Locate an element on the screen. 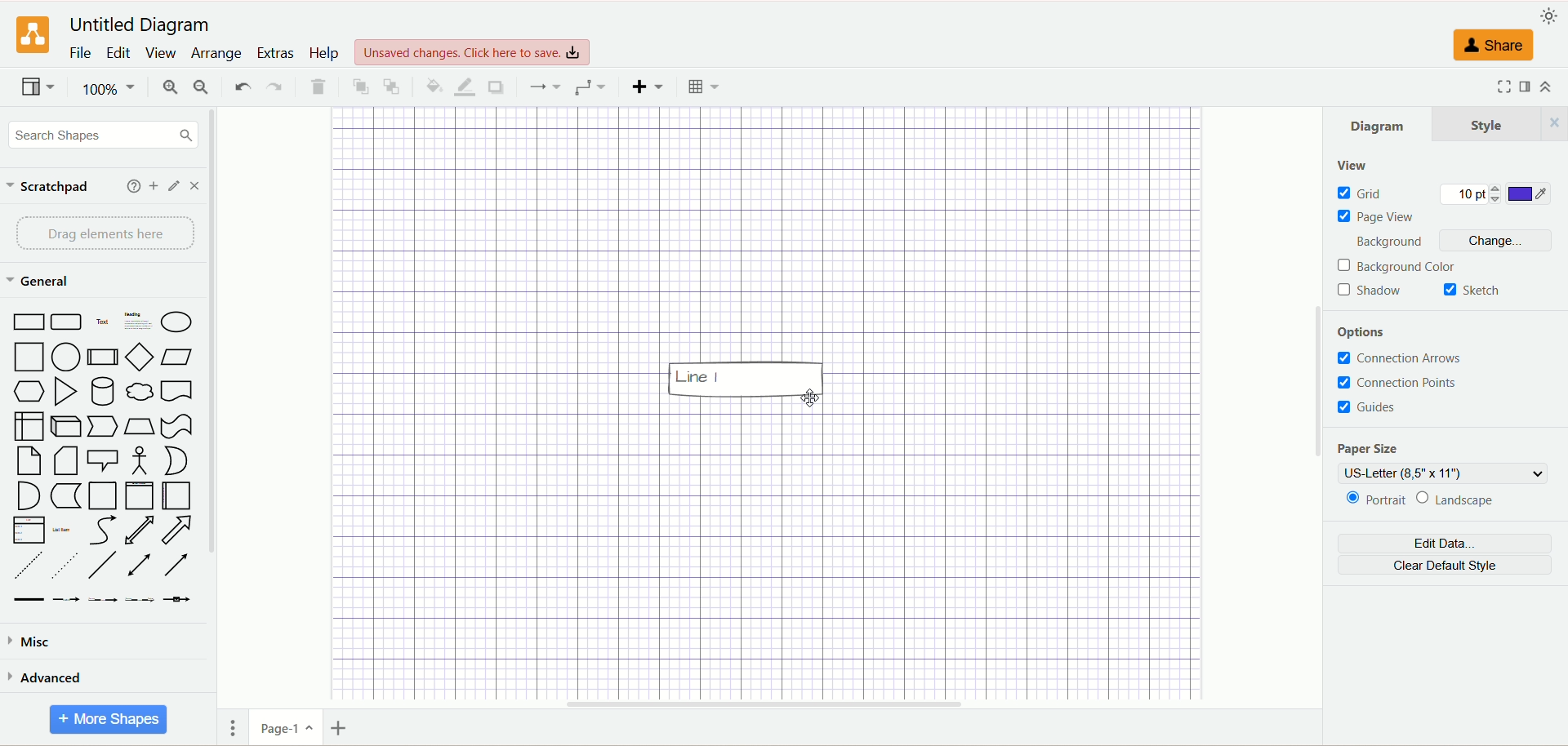  view is located at coordinates (161, 53).